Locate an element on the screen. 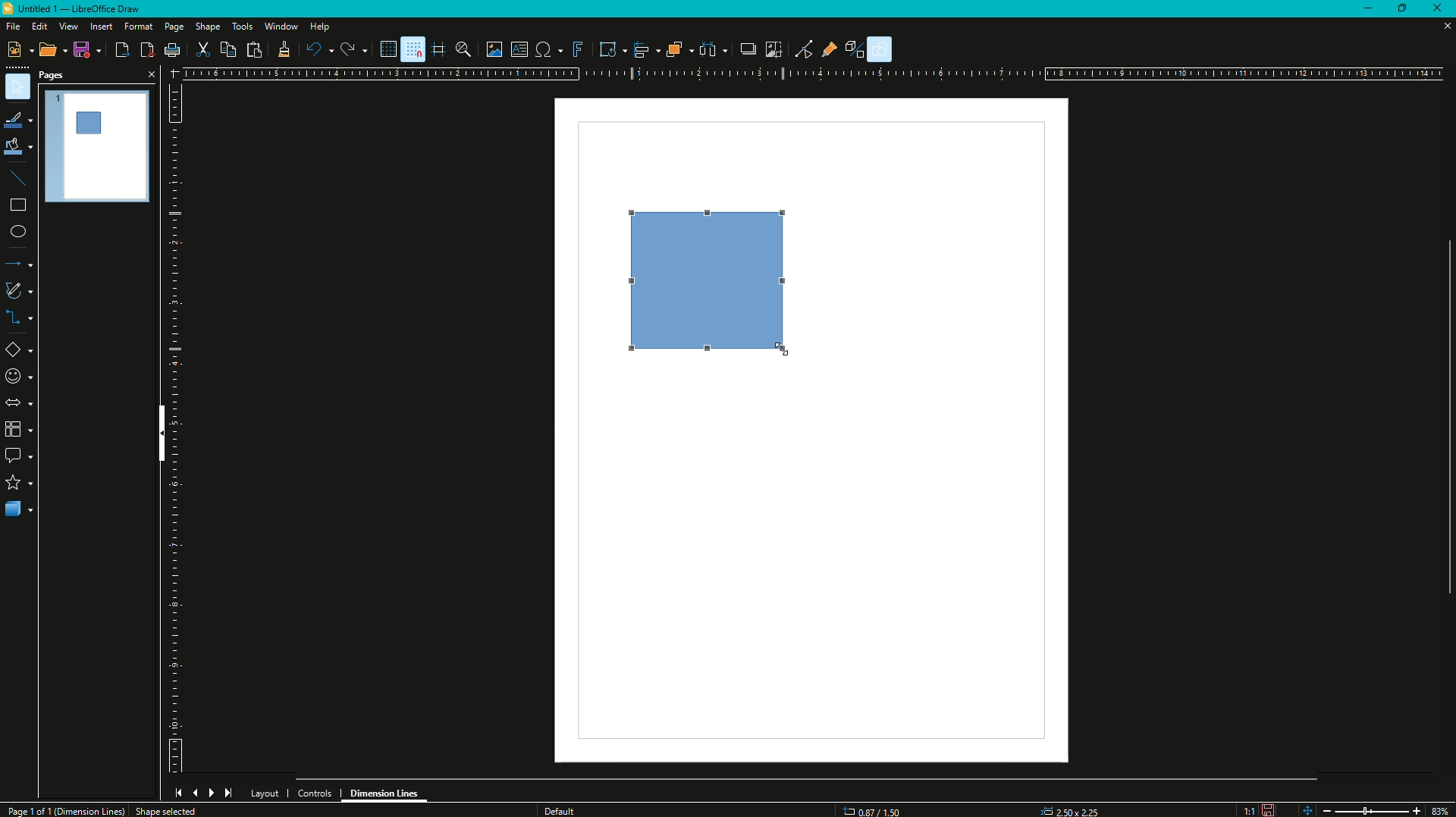 The image size is (1456, 817). Zoom Out is located at coordinates (1324, 809).